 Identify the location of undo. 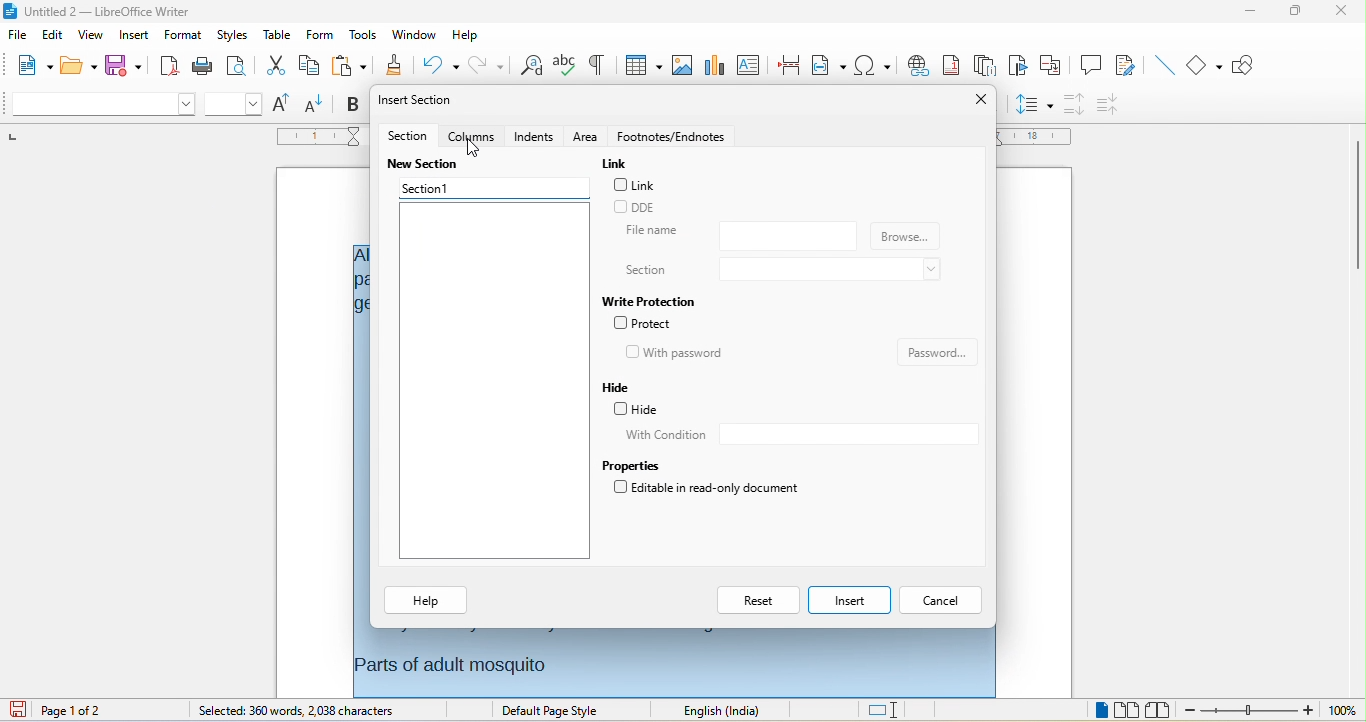
(436, 65).